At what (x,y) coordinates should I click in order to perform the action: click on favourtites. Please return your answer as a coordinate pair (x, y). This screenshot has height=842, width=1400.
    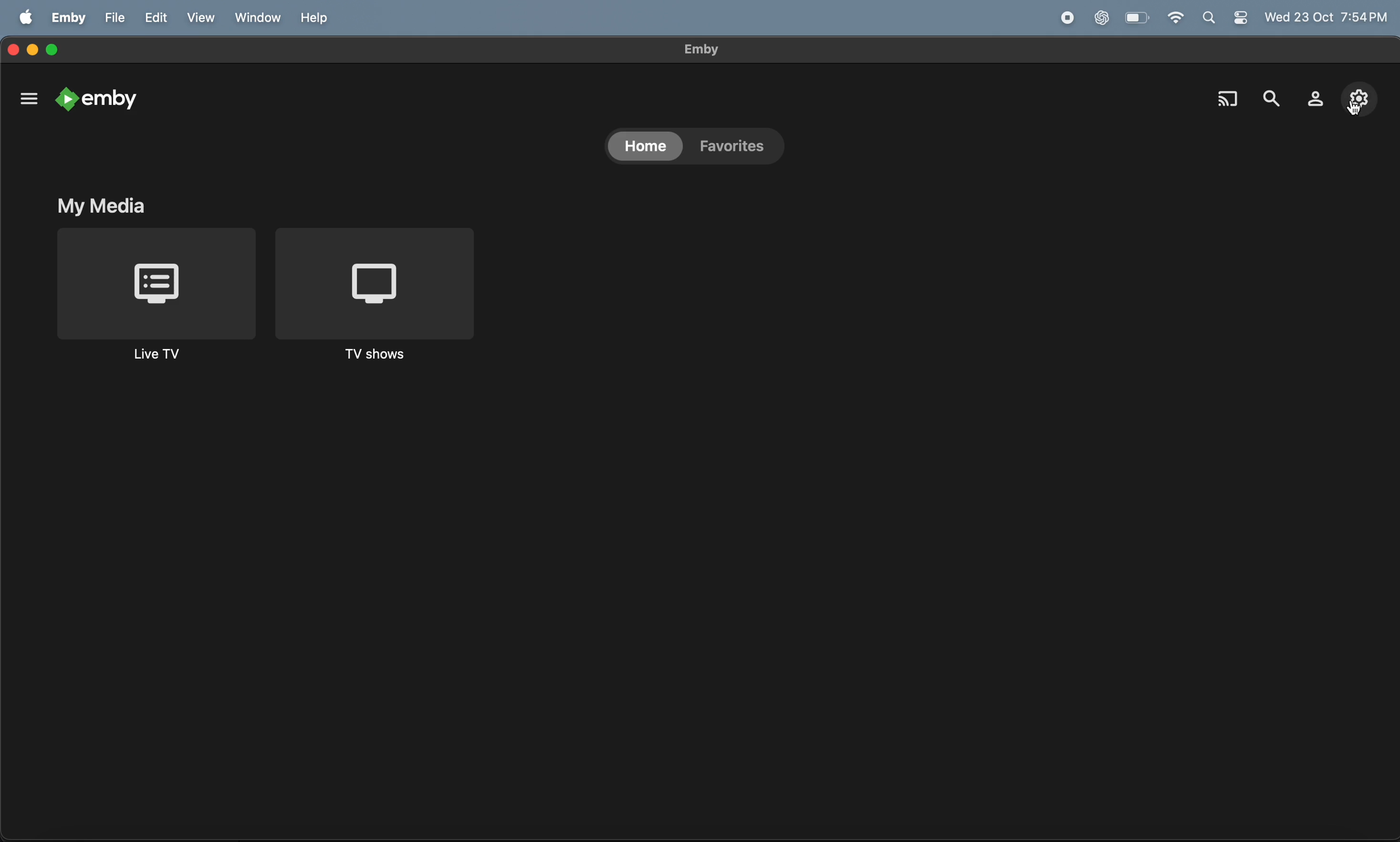
    Looking at the image, I should click on (735, 143).